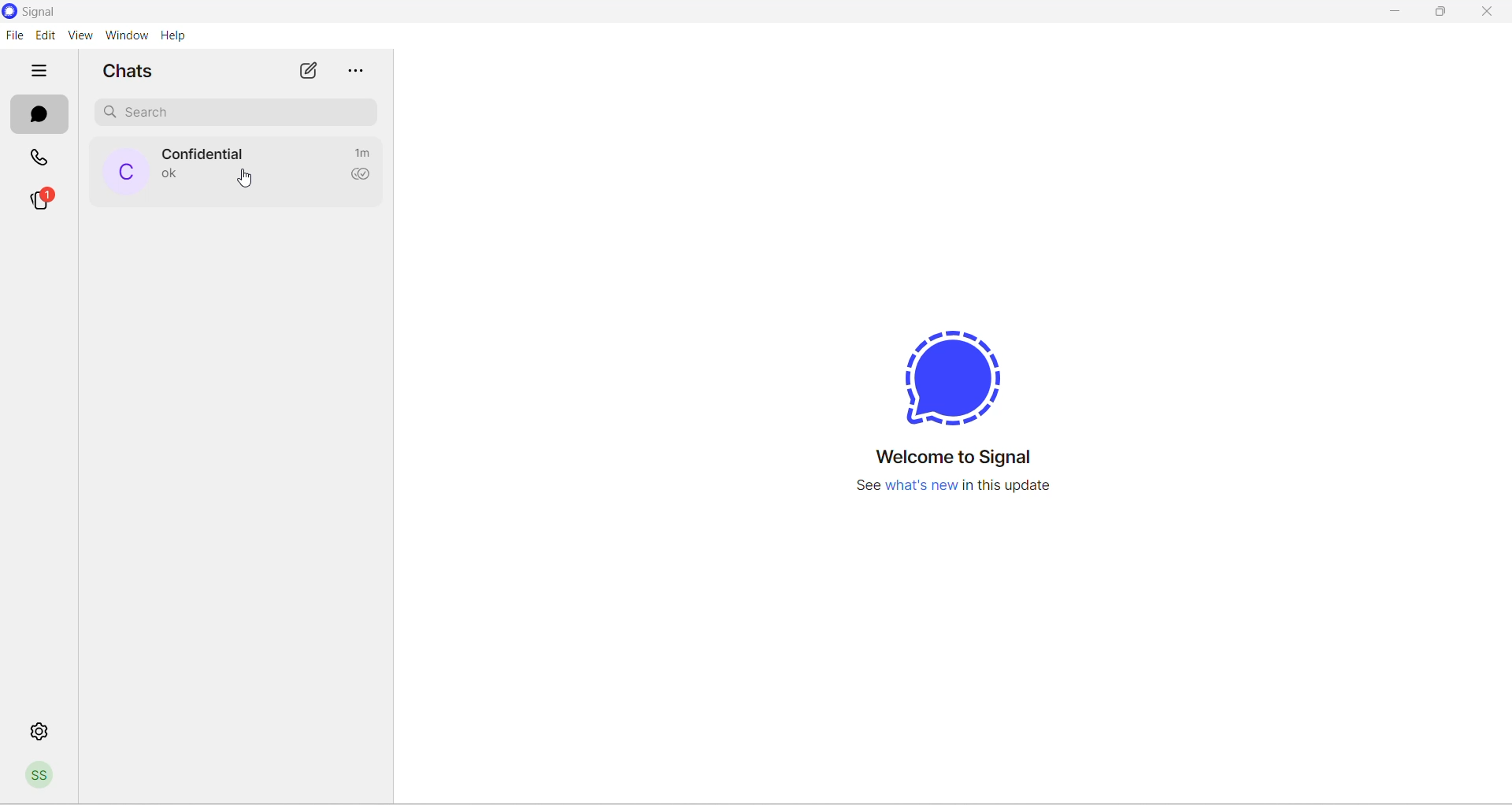 This screenshot has height=805, width=1512. Describe the element at coordinates (361, 174) in the screenshot. I see `read recipient` at that location.